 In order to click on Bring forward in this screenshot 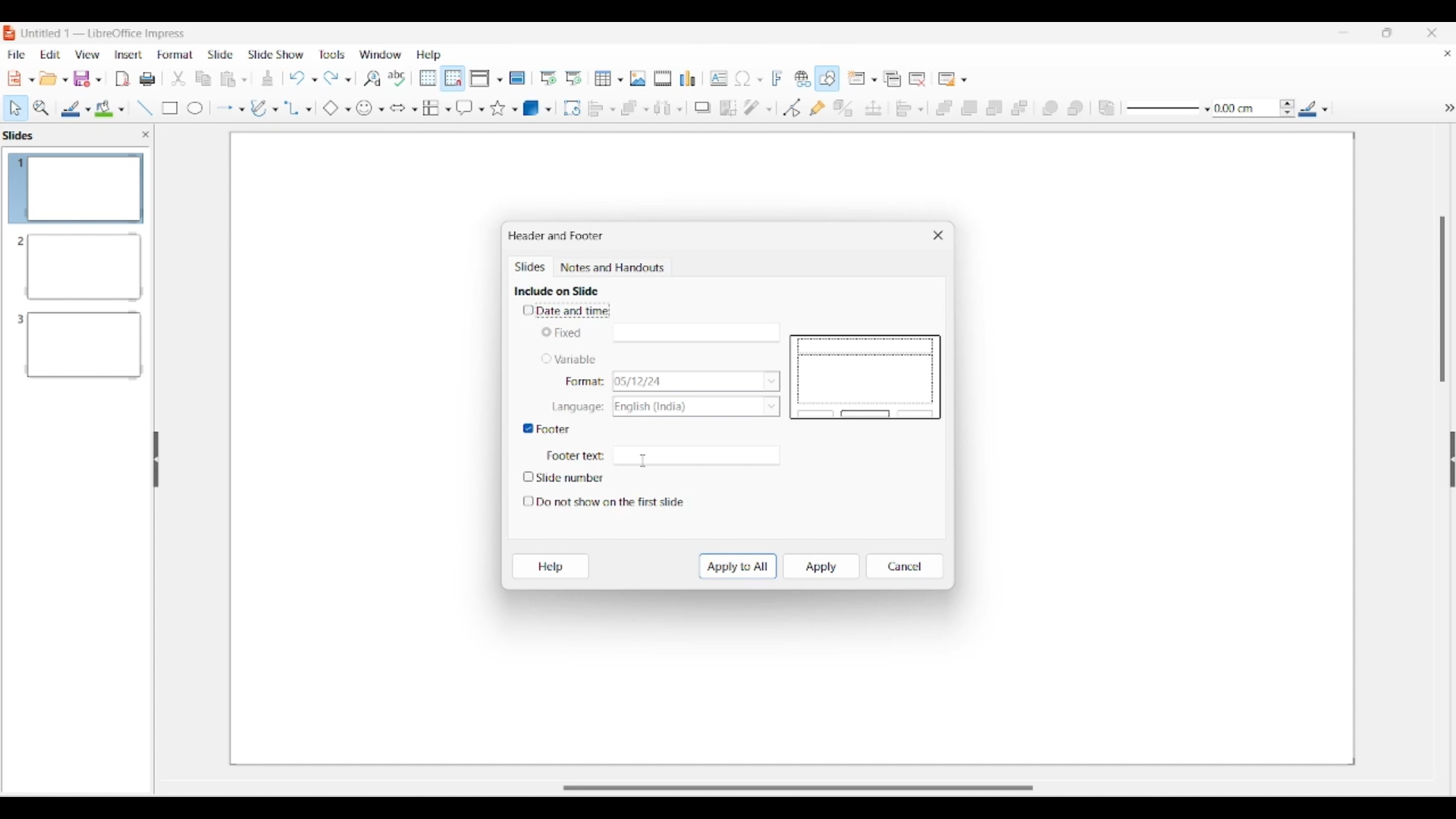, I will do `click(970, 108)`.